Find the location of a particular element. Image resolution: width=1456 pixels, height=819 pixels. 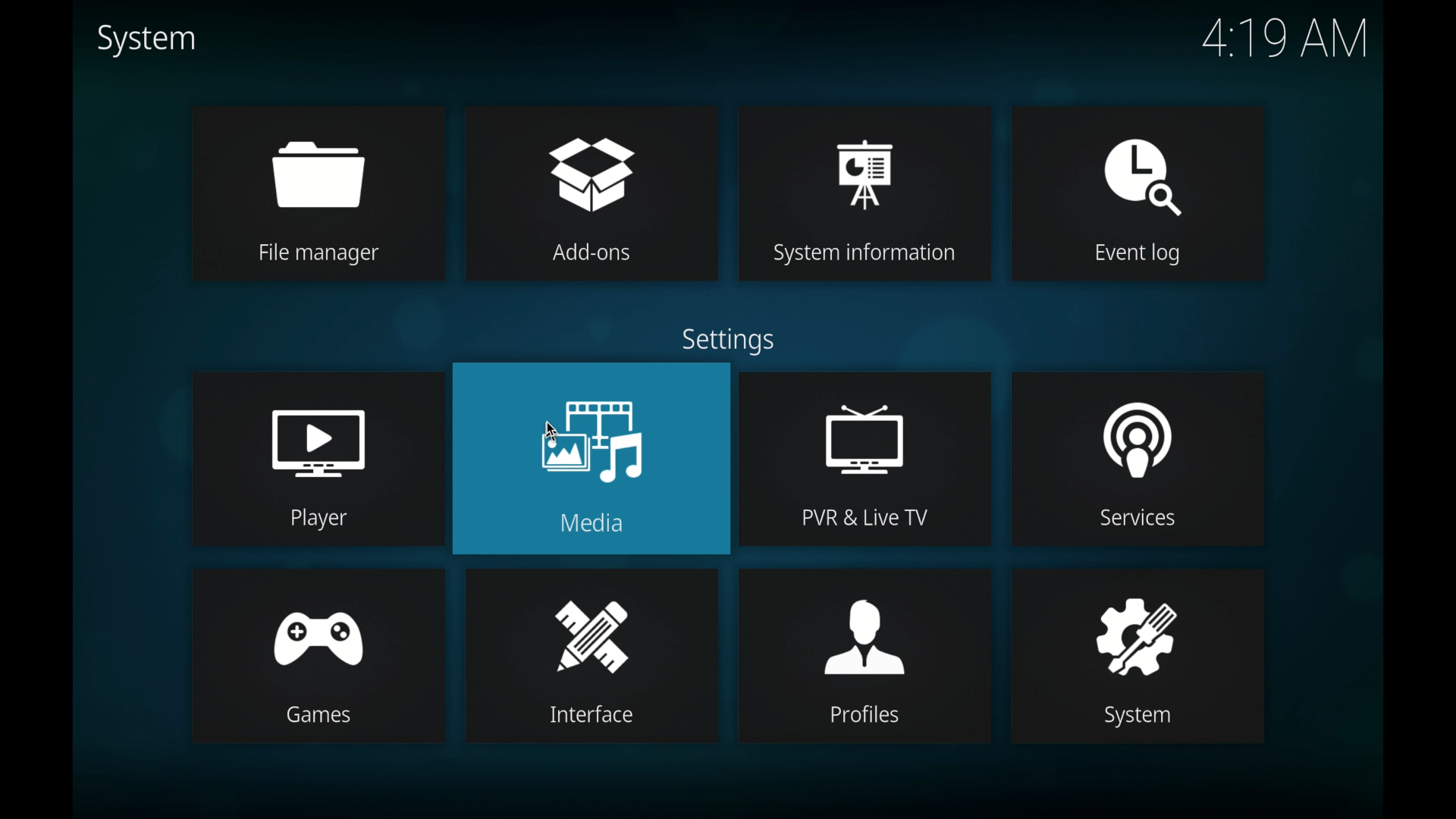

time is located at coordinates (1288, 39).